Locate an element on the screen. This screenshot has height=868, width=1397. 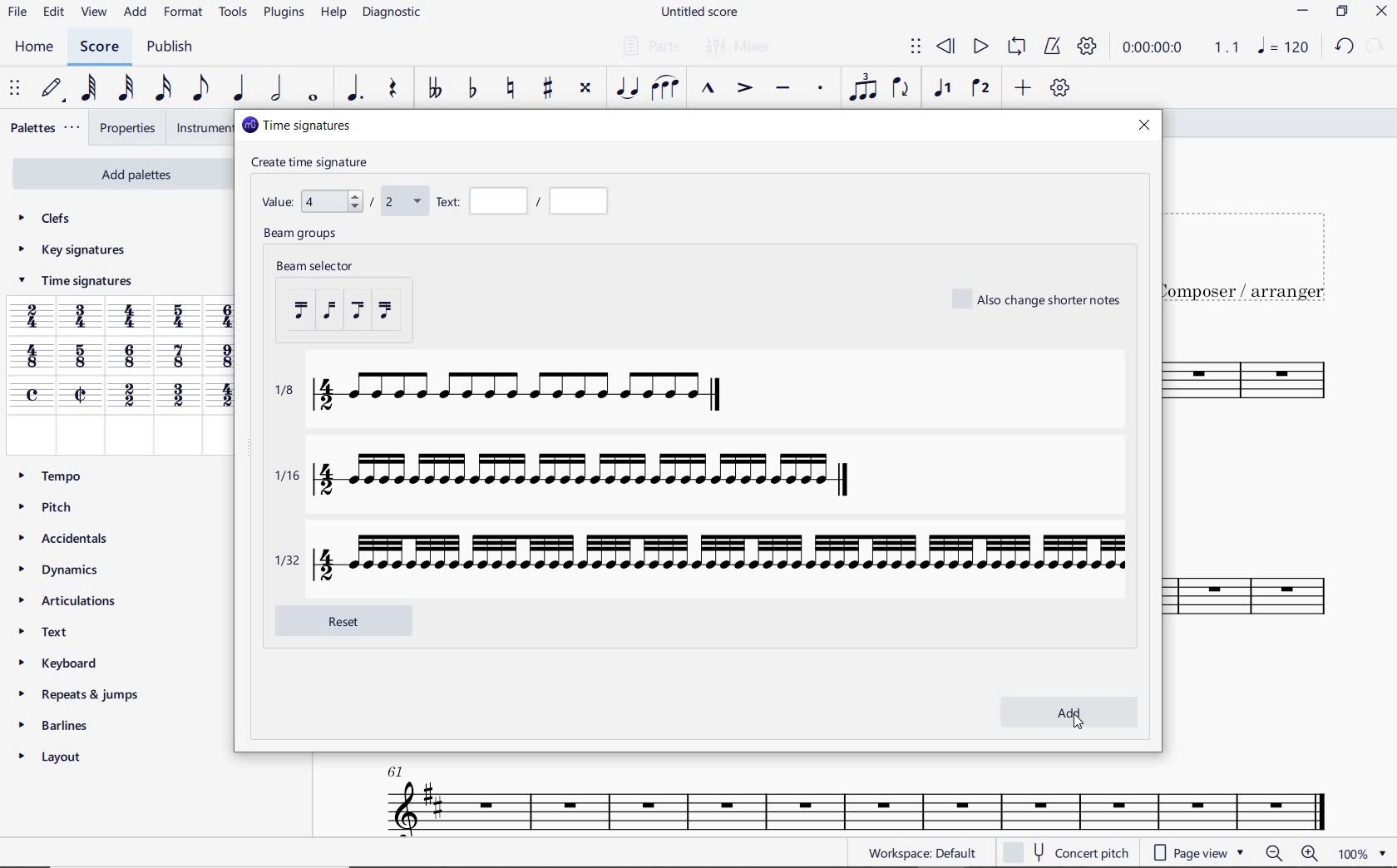
STACCATO is located at coordinates (822, 90).